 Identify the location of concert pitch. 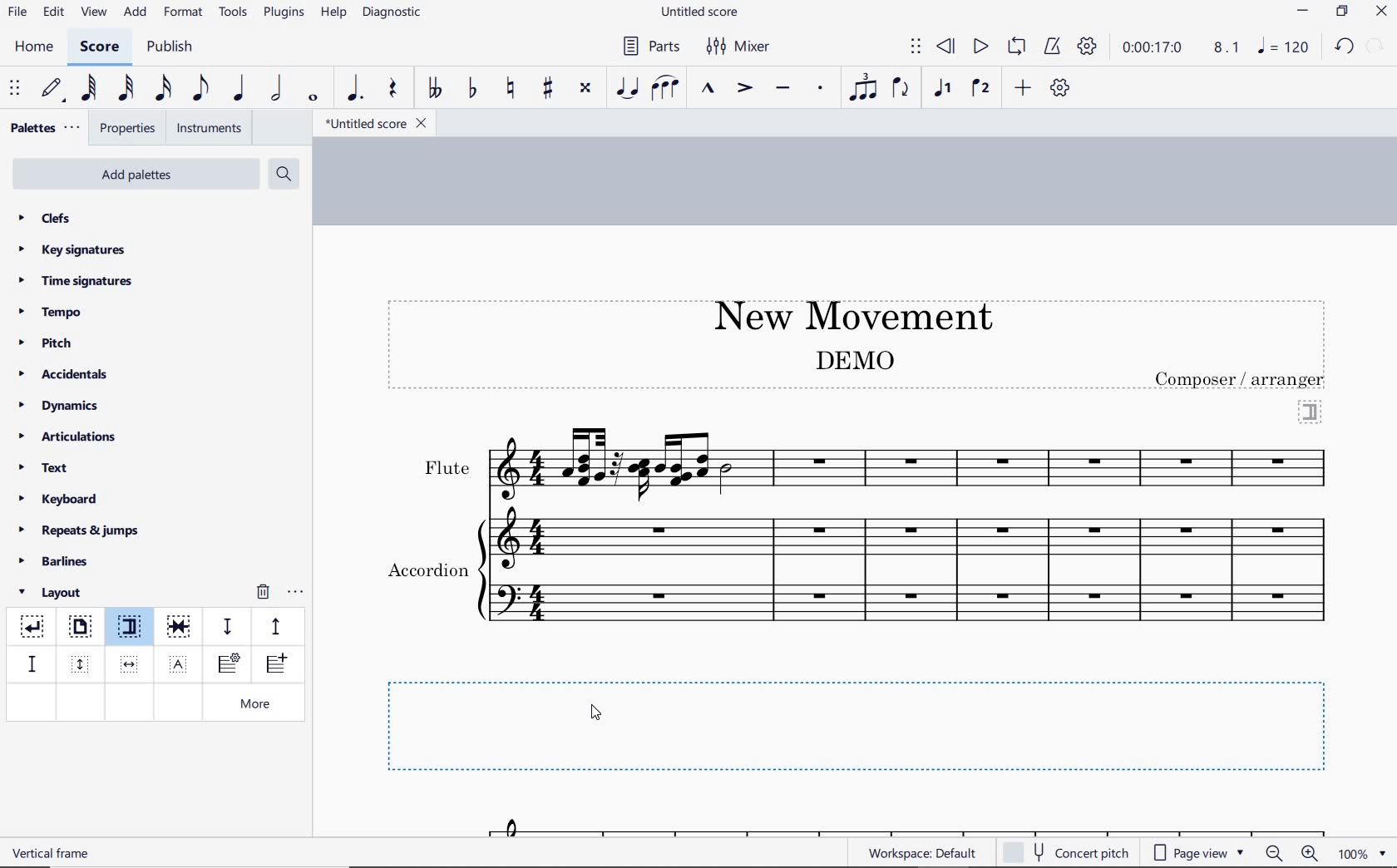
(1068, 851).